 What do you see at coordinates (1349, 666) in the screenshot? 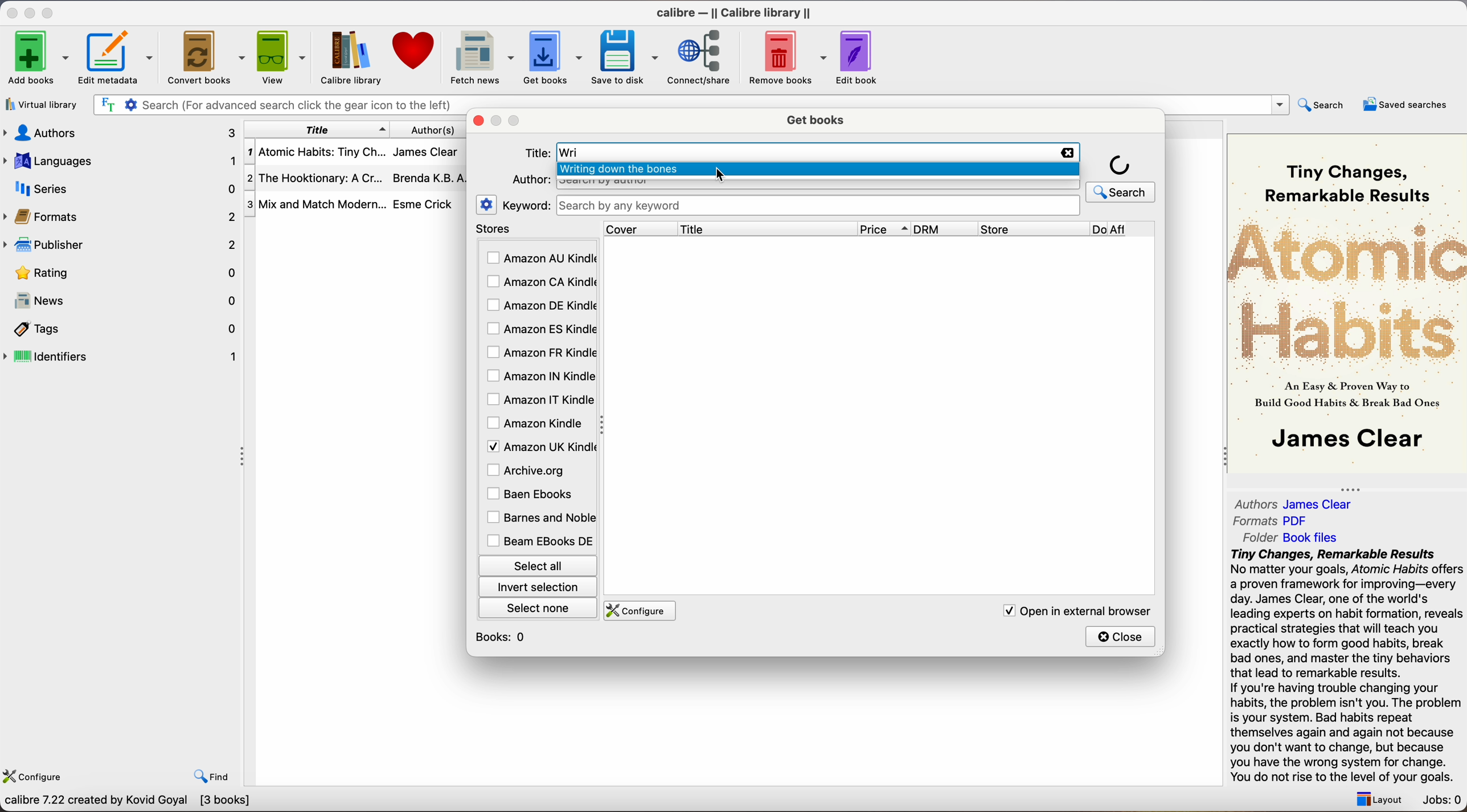
I see `synopsis` at bounding box center [1349, 666].